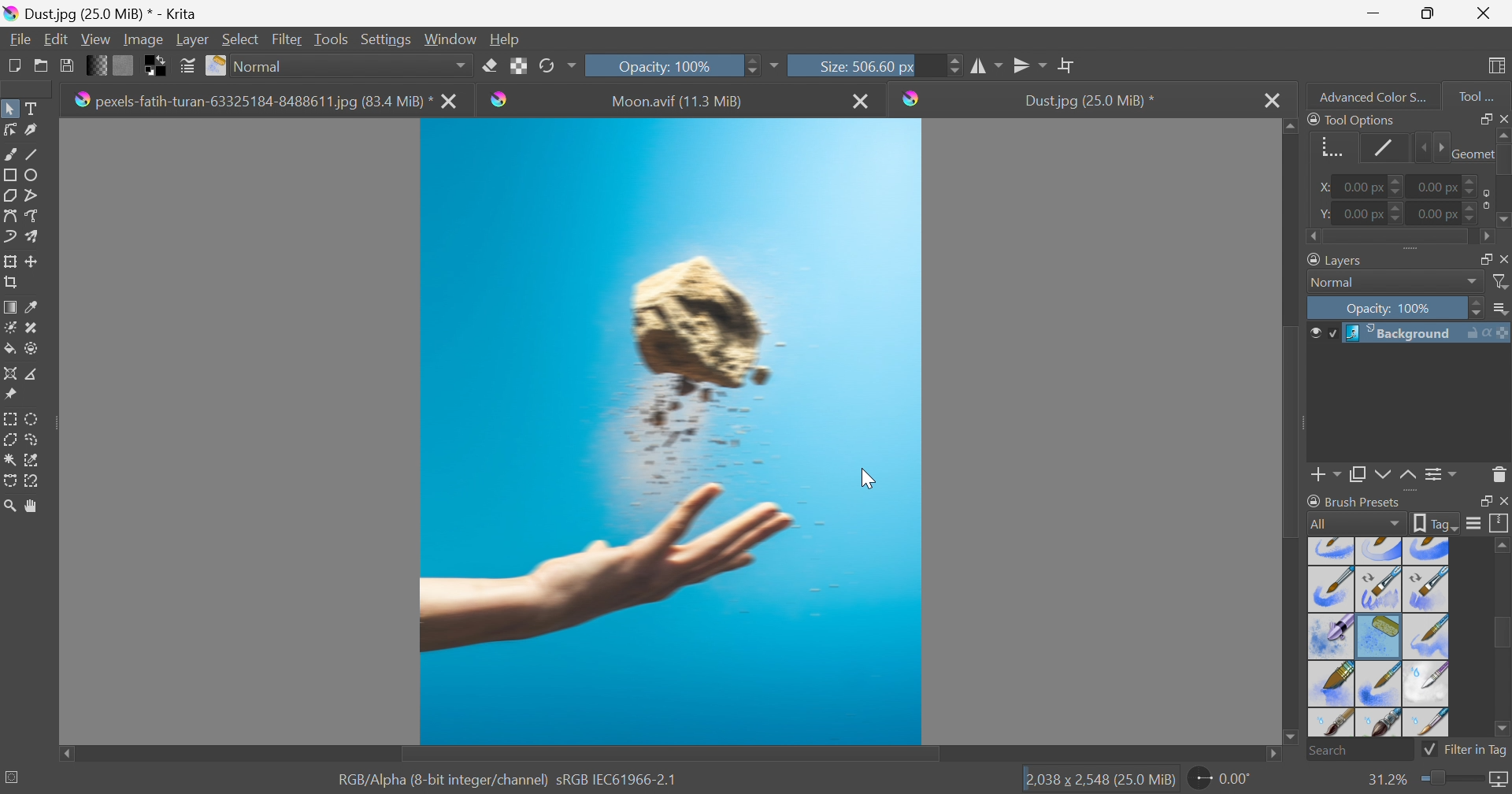  Describe the element at coordinates (1483, 502) in the screenshot. I see `Float Docker` at that location.